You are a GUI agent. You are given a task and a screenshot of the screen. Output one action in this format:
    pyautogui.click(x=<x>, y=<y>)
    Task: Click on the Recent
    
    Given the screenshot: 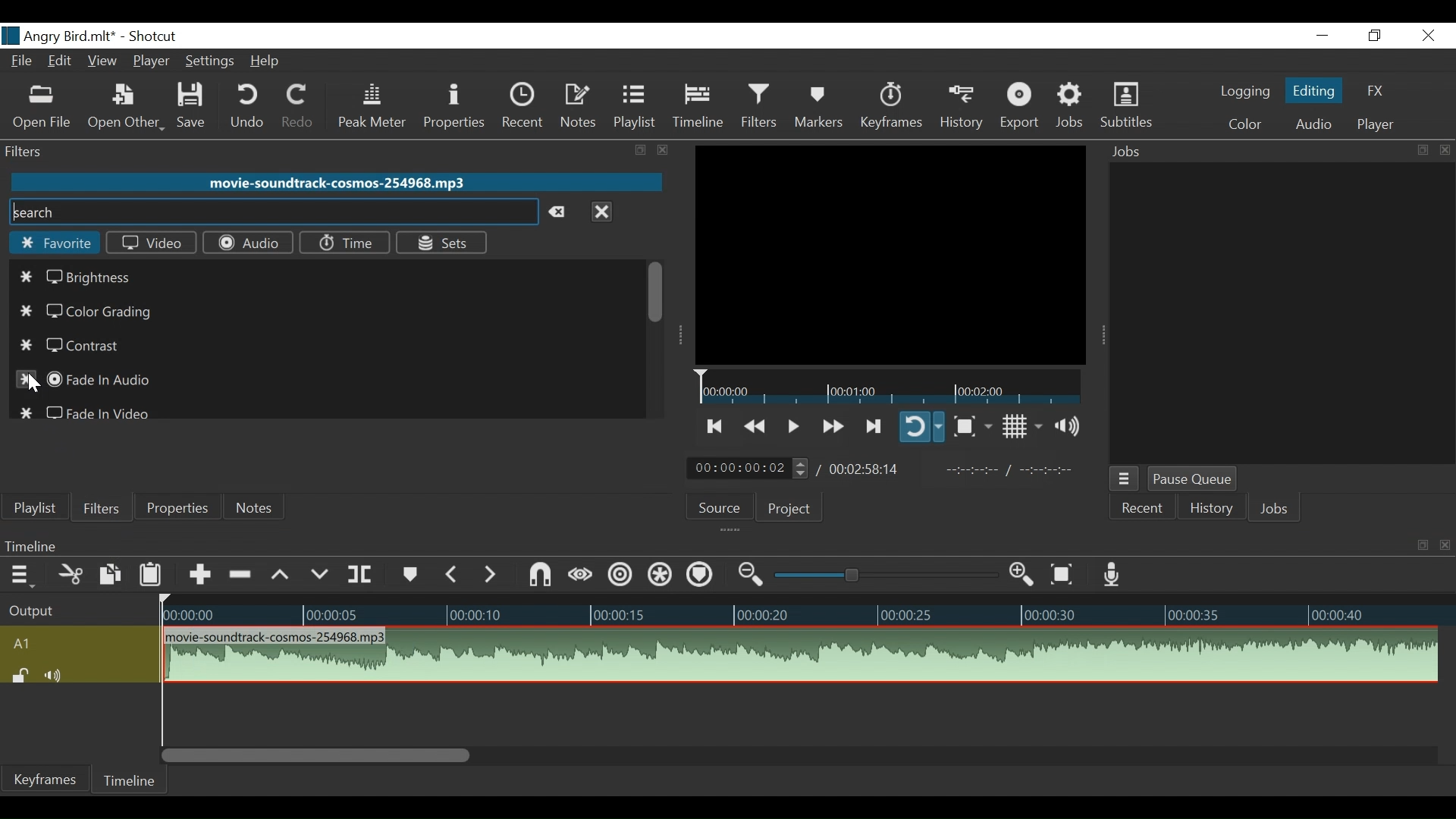 What is the action you would take?
    pyautogui.click(x=1143, y=508)
    